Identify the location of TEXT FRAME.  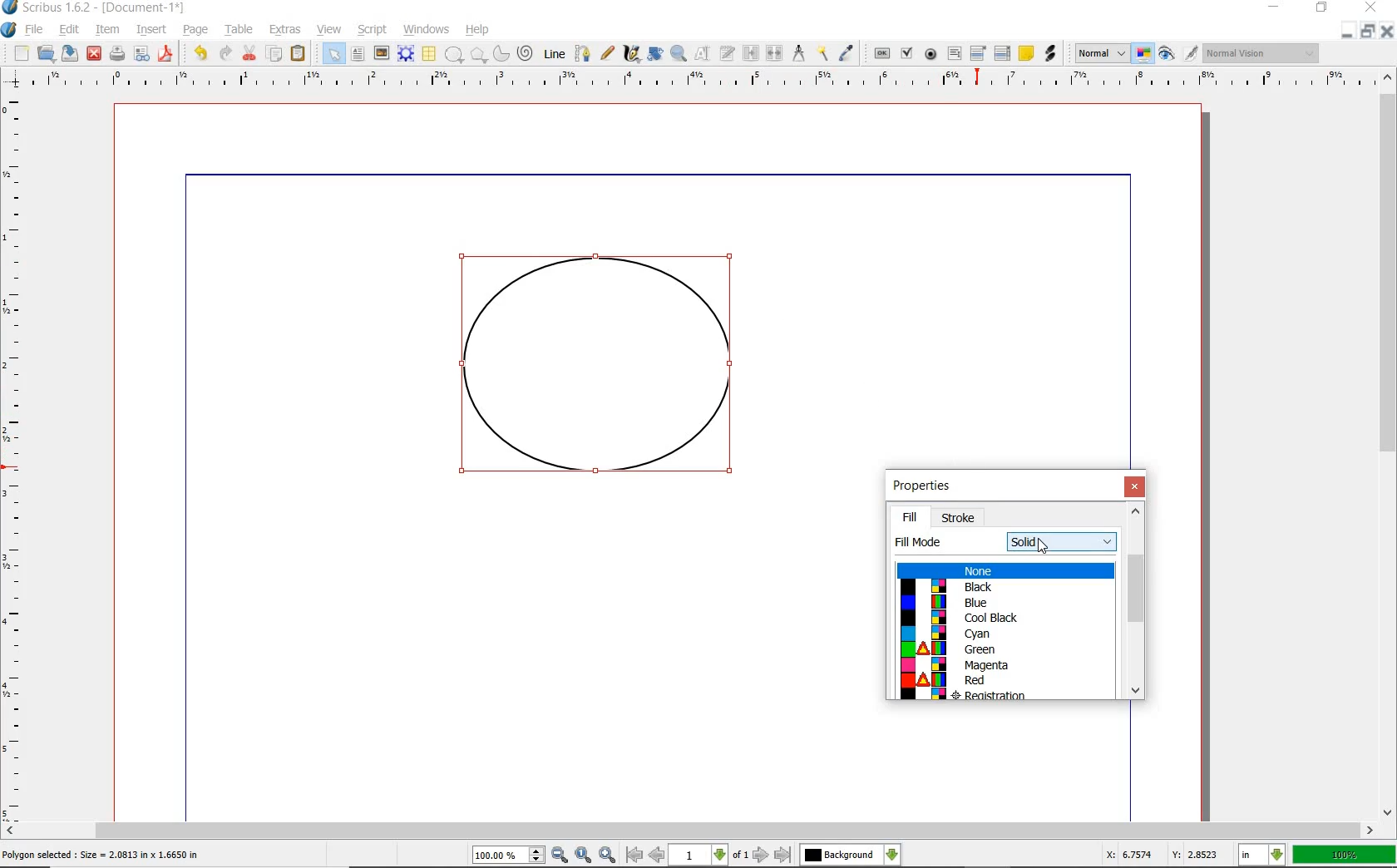
(358, 53).